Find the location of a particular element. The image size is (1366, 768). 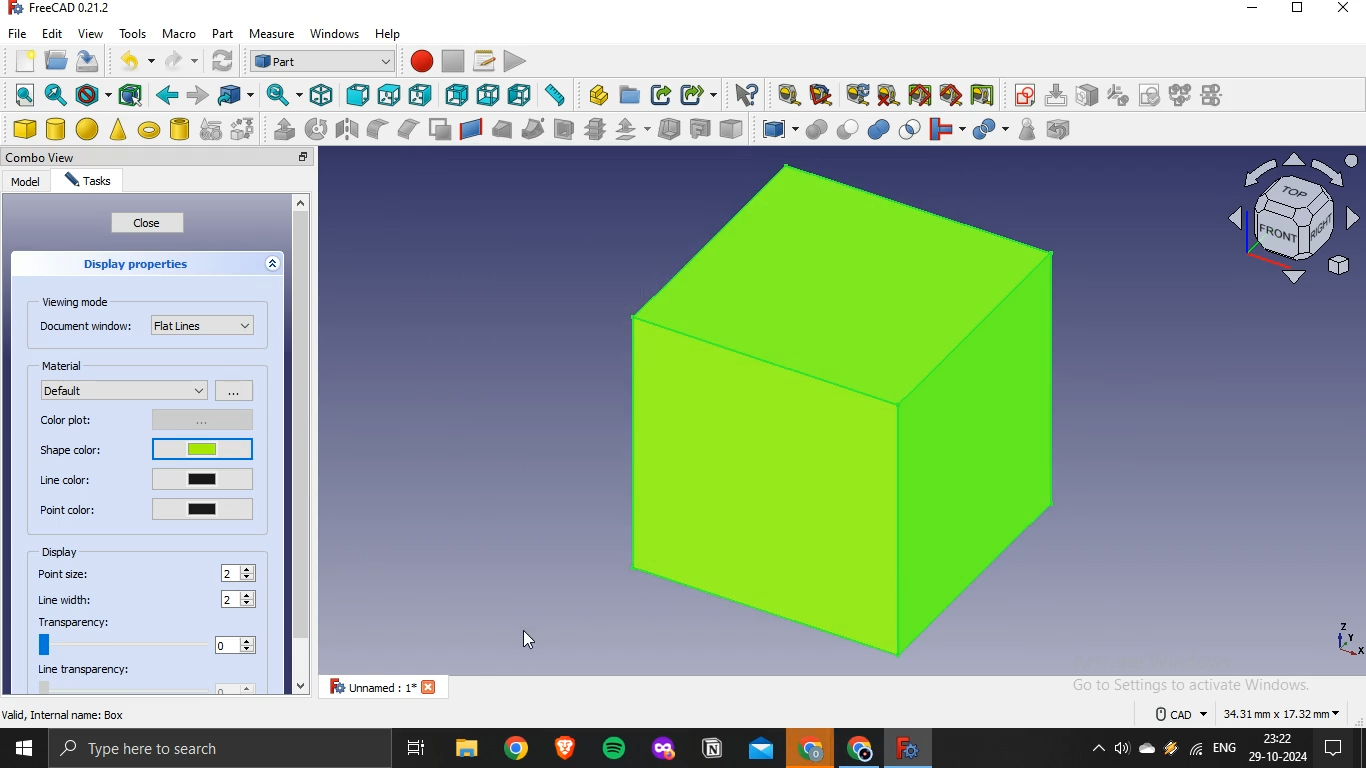

point color is located at coordinates (145, 508).